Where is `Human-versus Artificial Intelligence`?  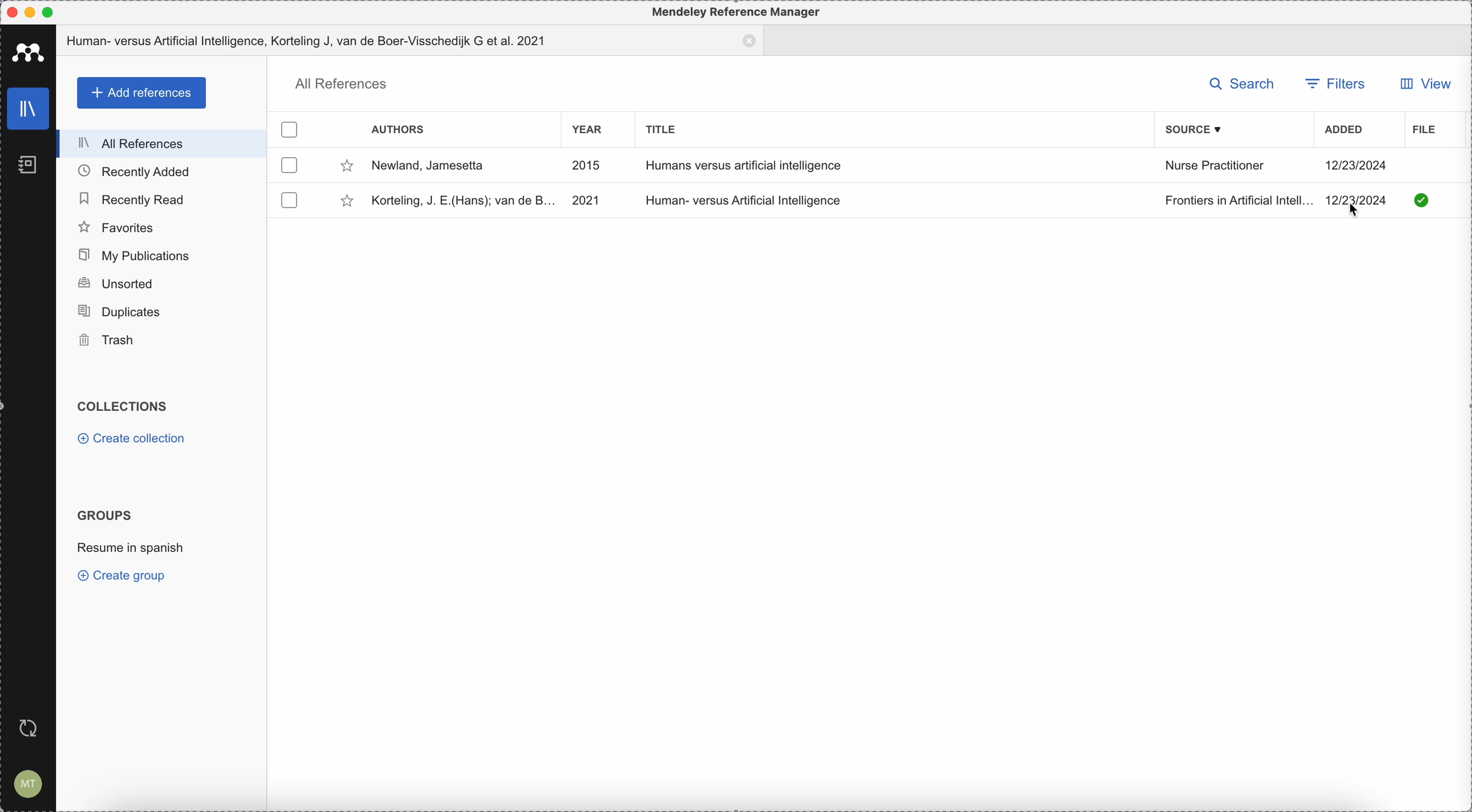
Human-versus Artificial Intelligence is located at coordinates (747, 198).